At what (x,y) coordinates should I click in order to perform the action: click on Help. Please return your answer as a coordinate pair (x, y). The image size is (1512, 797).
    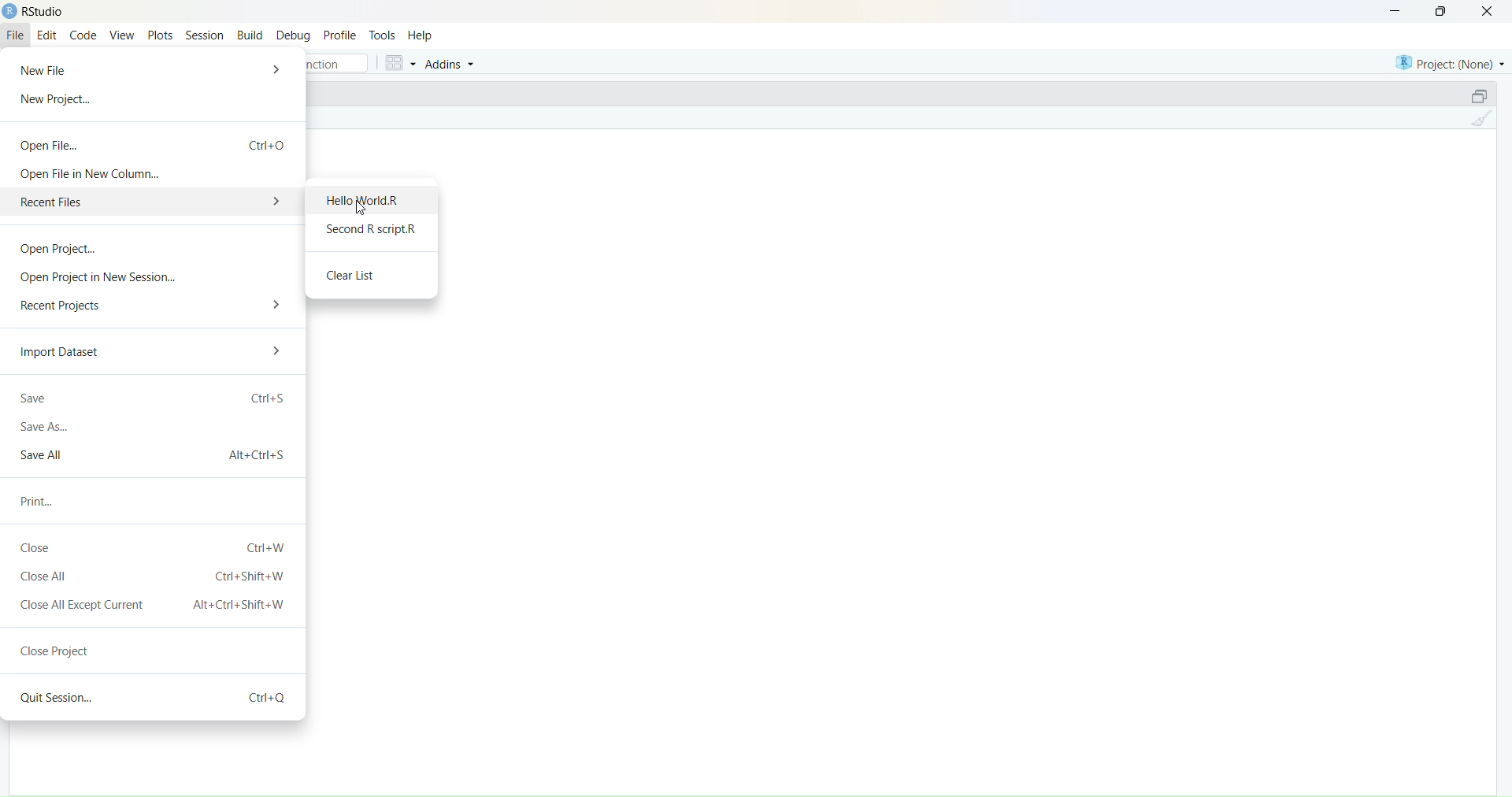
    Looking at the image, I should click on (420, 36).